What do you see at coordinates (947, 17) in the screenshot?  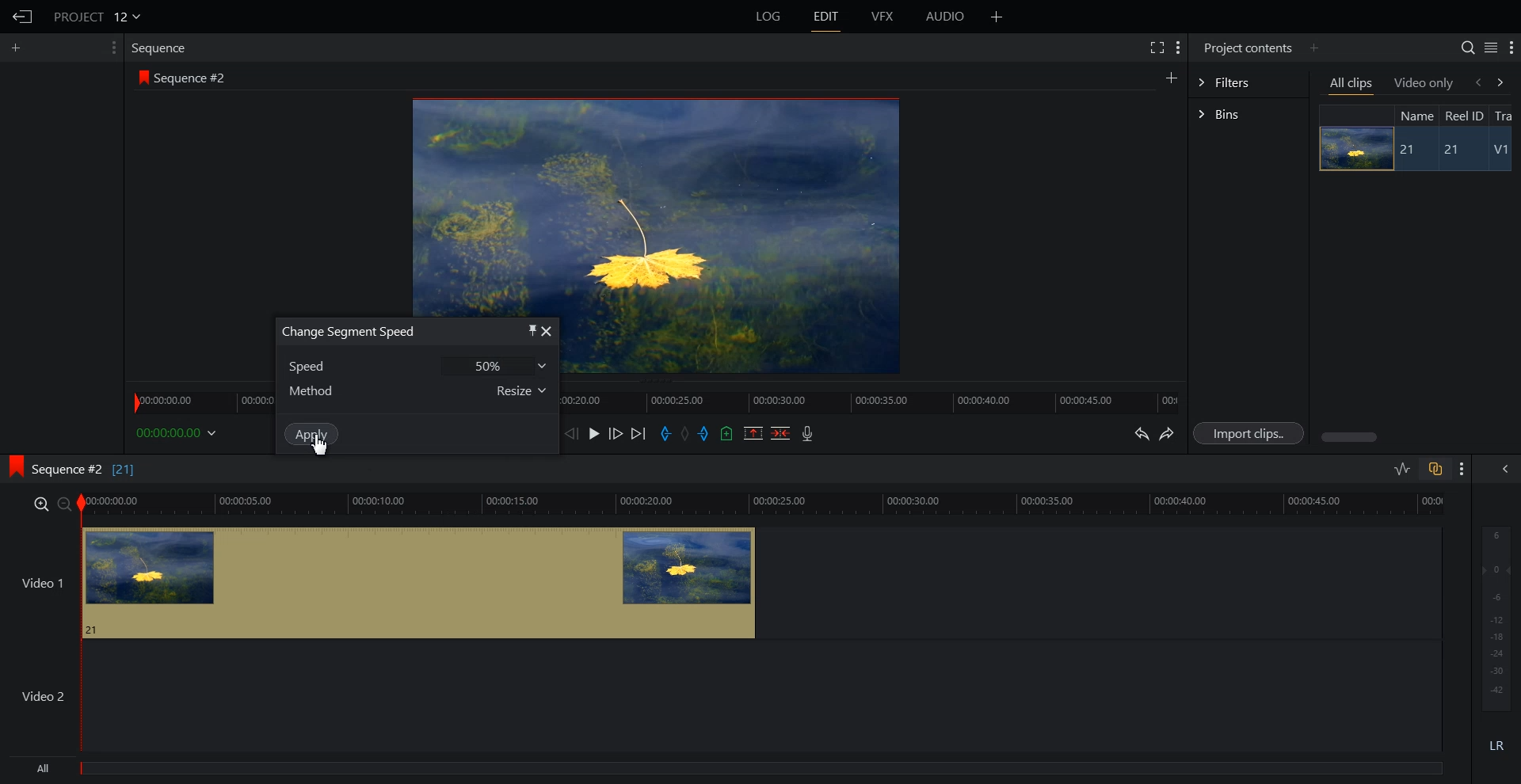 I see `AUDIO` at bounding box center [947, 17].